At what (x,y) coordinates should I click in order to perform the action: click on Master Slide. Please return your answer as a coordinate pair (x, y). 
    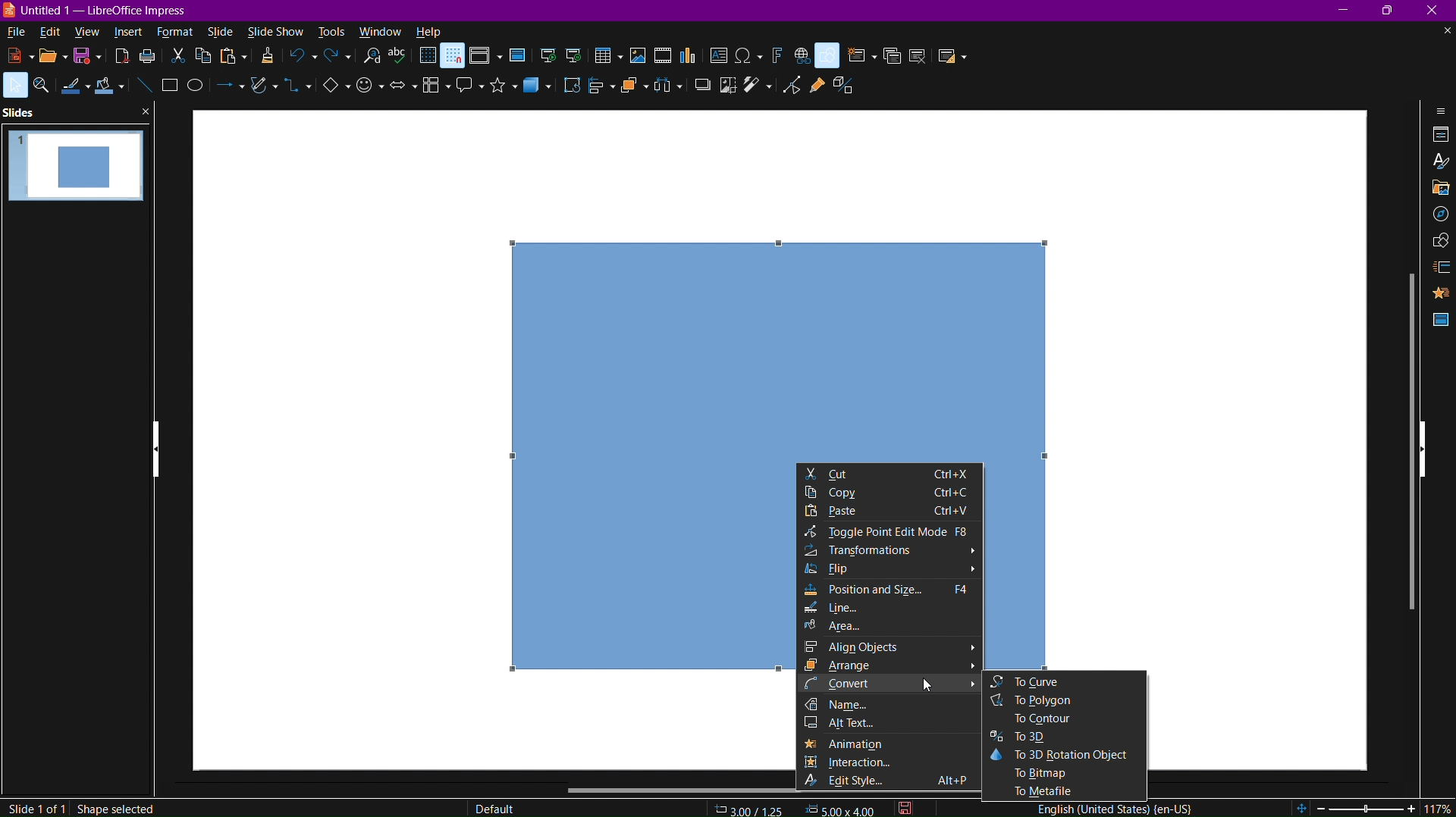
    Looking at the image, I should click on (1439, 320).